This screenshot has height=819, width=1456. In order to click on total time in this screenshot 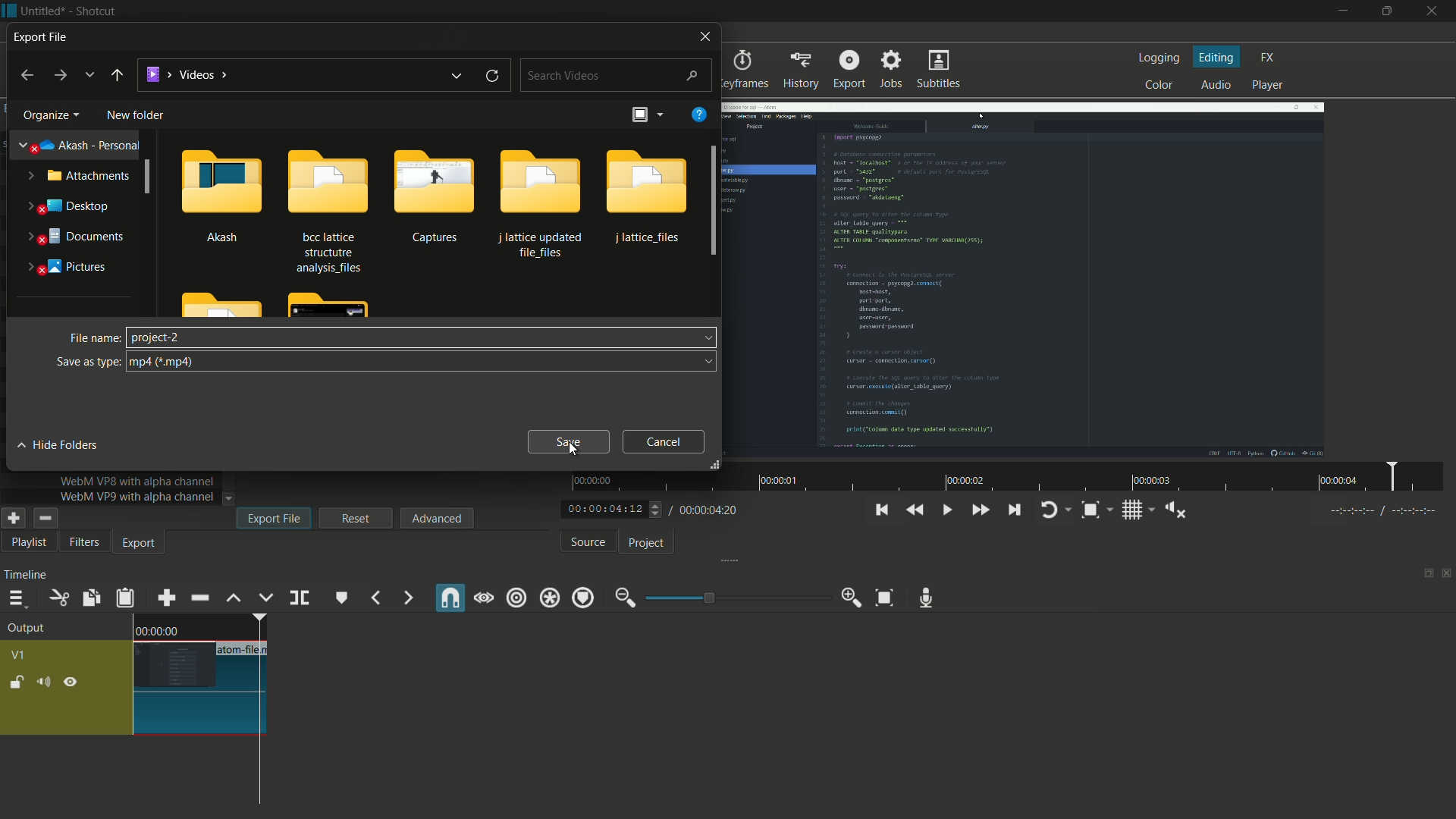, I will do `click(709, 510)`.